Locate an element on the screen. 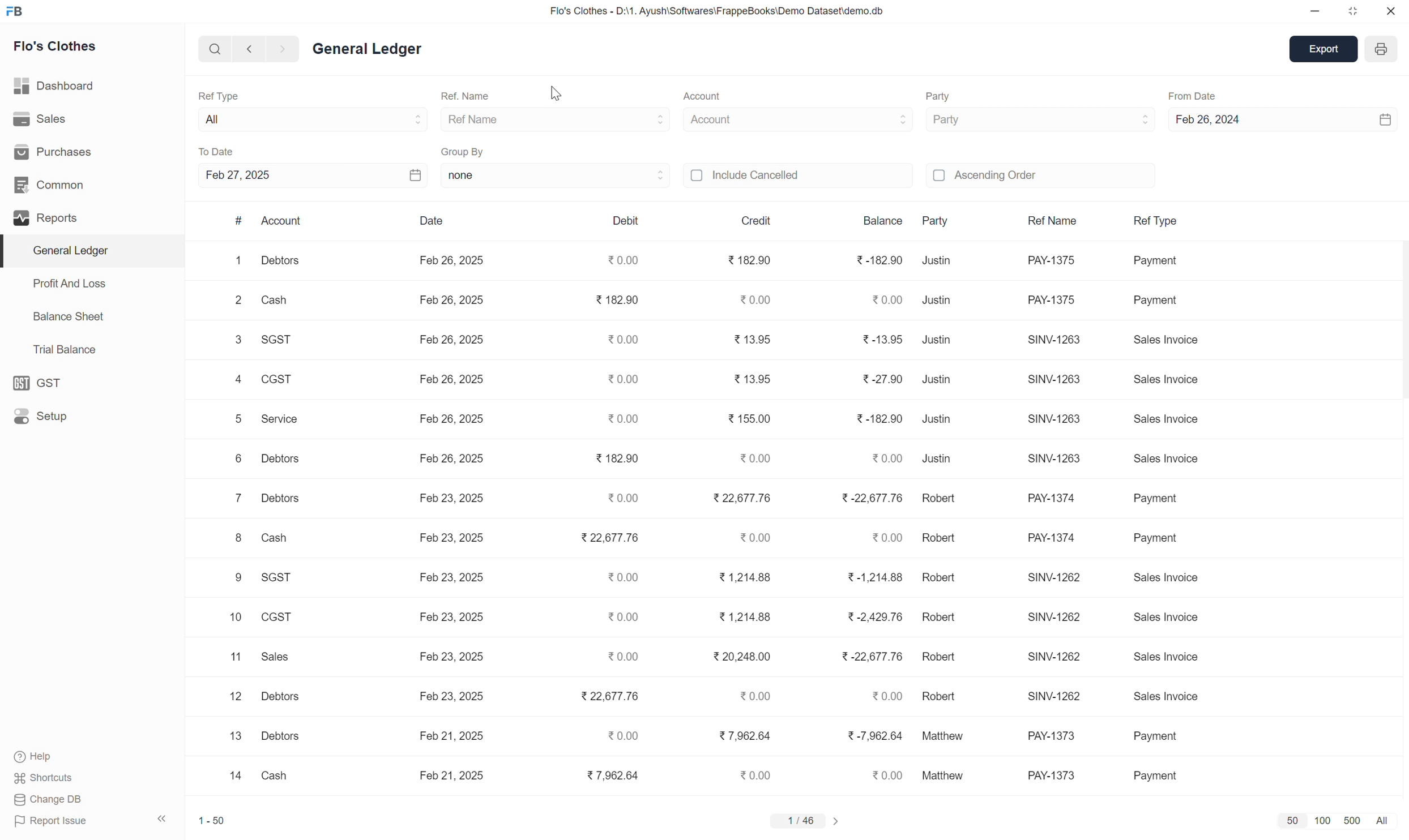 The width and height of the screenshot is (1409, 840). justin is located at coordinates (936, 299).